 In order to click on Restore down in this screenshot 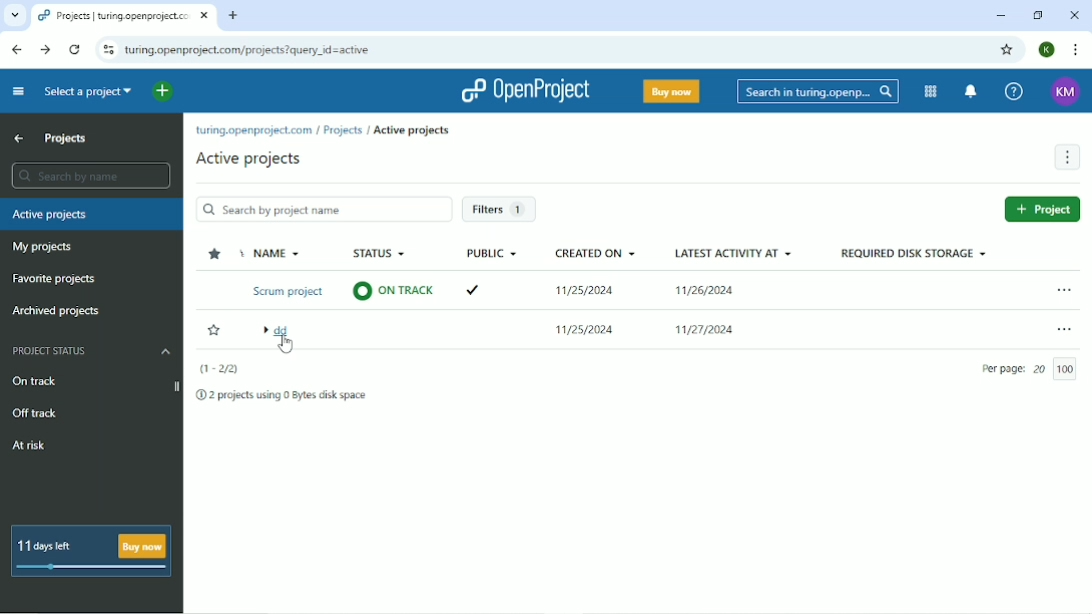, I will do `click(1037, 14)`.